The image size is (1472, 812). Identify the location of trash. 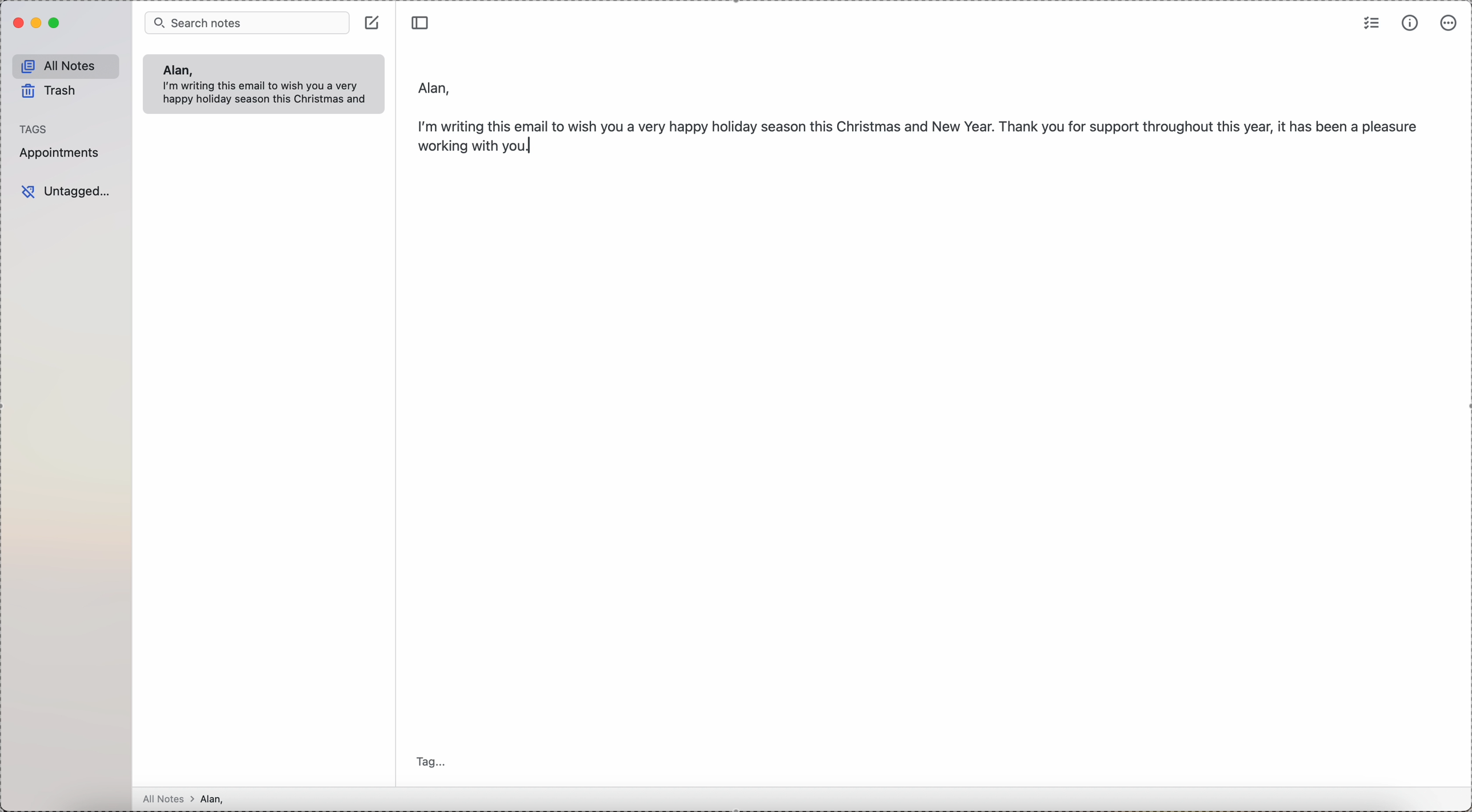
(51, 93).